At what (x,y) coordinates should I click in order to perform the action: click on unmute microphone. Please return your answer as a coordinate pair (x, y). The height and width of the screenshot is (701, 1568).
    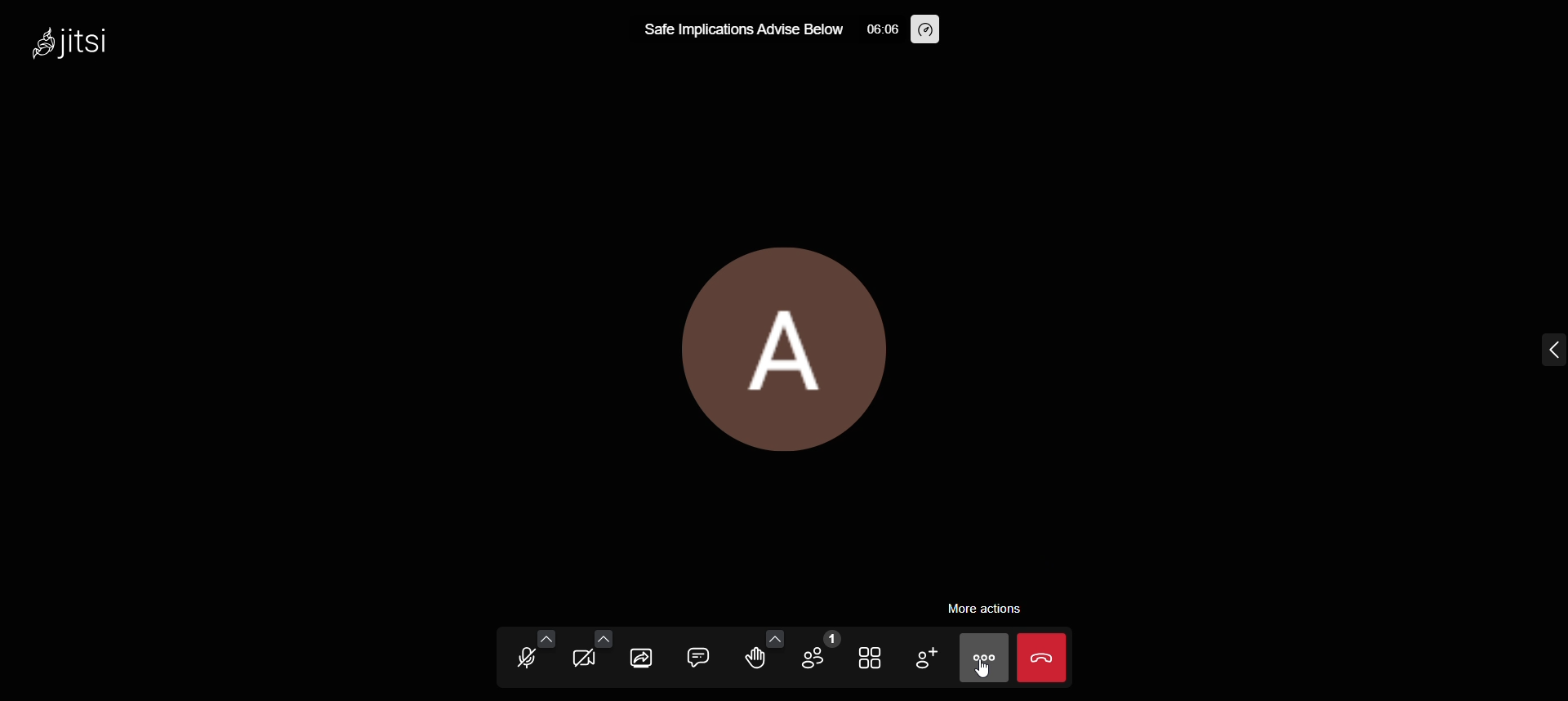
    Looking at the image, I should click on (527, 657).